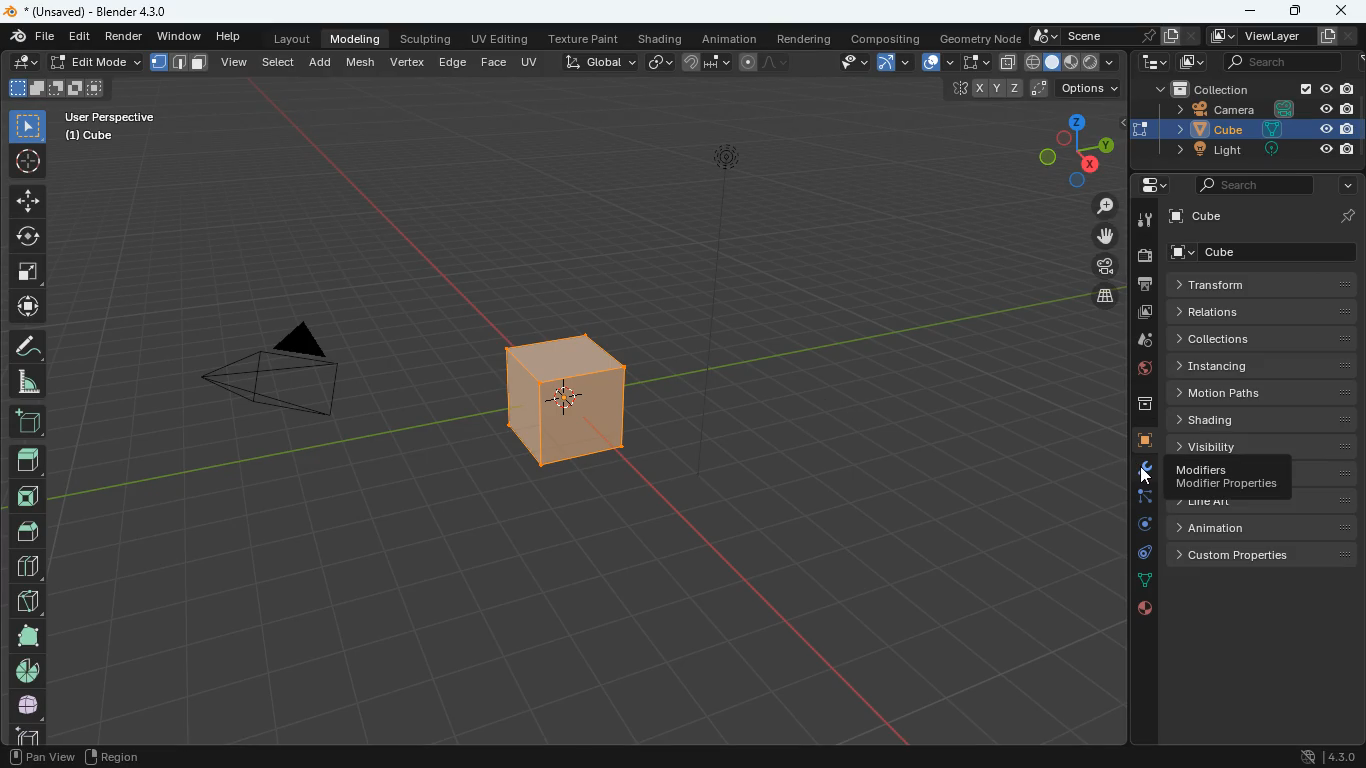 This screenshot has width=1366, height=768. What do you see at coordinates (1140, 286) in the screenshot?
I see `print` at bounding box center [1140, 286].